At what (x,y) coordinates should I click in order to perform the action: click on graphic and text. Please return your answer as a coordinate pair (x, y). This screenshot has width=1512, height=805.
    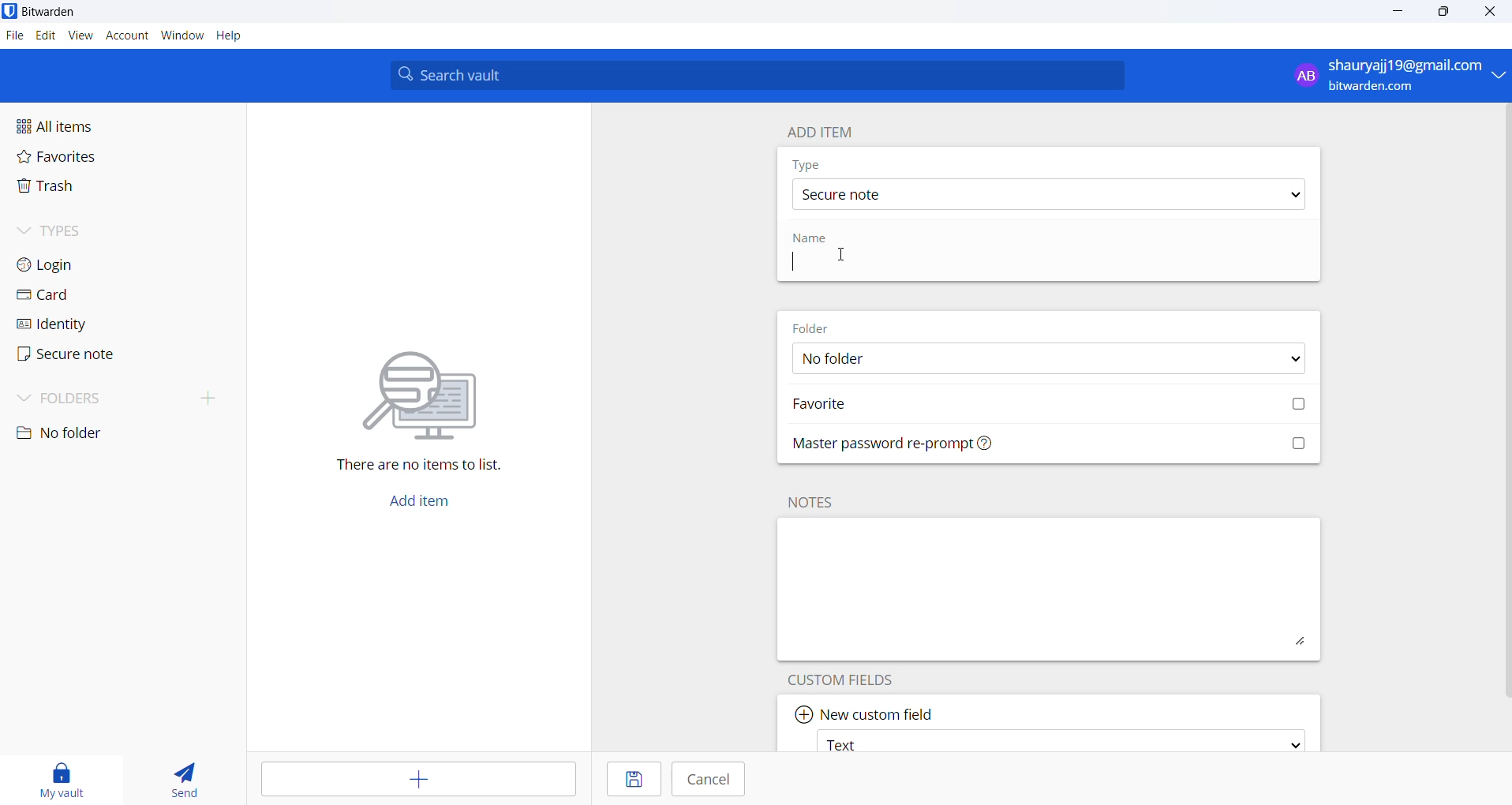
    Looking at the image, I should click on (422, 401).